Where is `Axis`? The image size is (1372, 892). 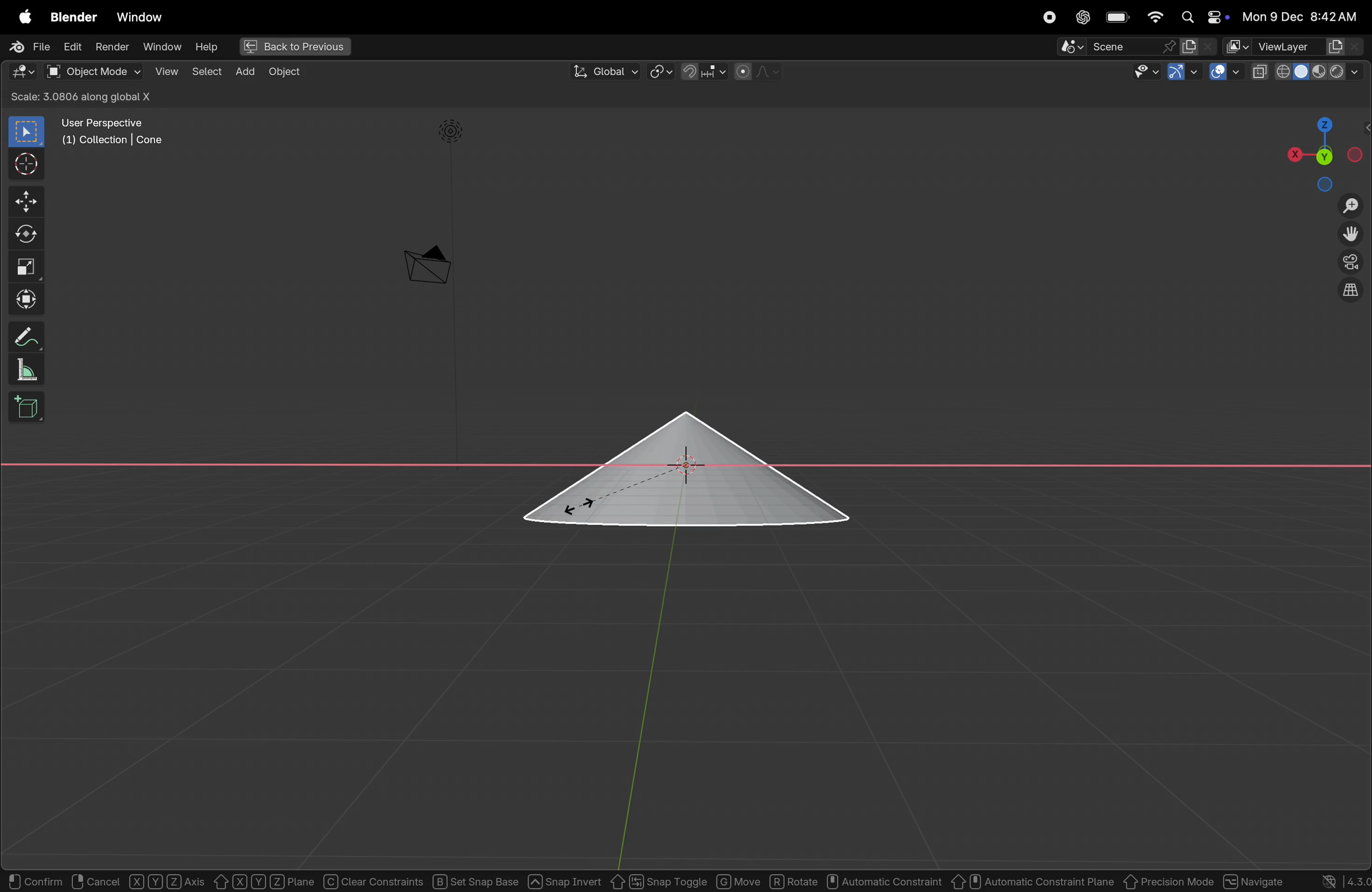
Axis is located at coordinates (168, 881).